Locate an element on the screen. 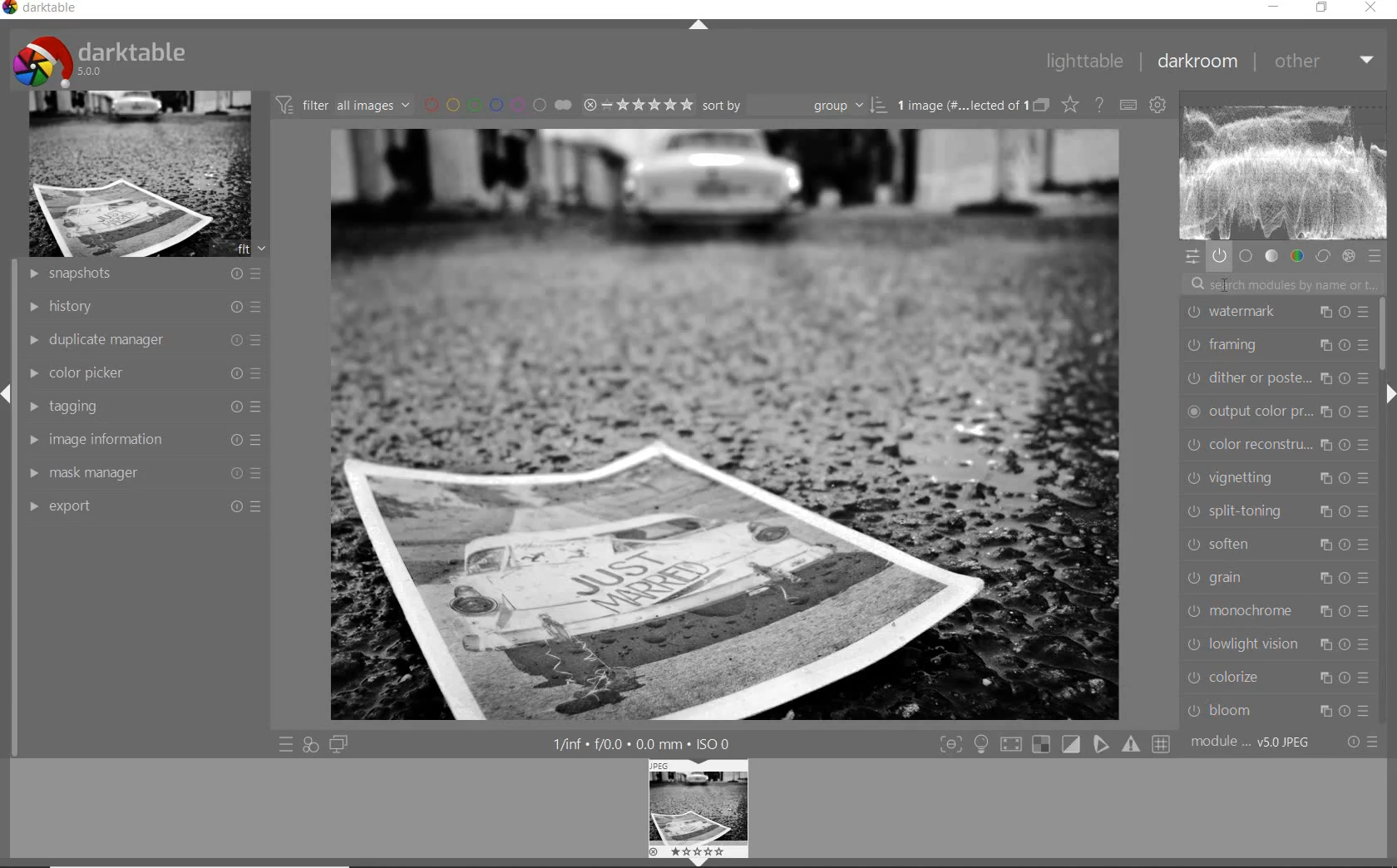 The width and height of the screenshot is (1397, 868). quick access for applying any of style is located at coordinates (310, 744).